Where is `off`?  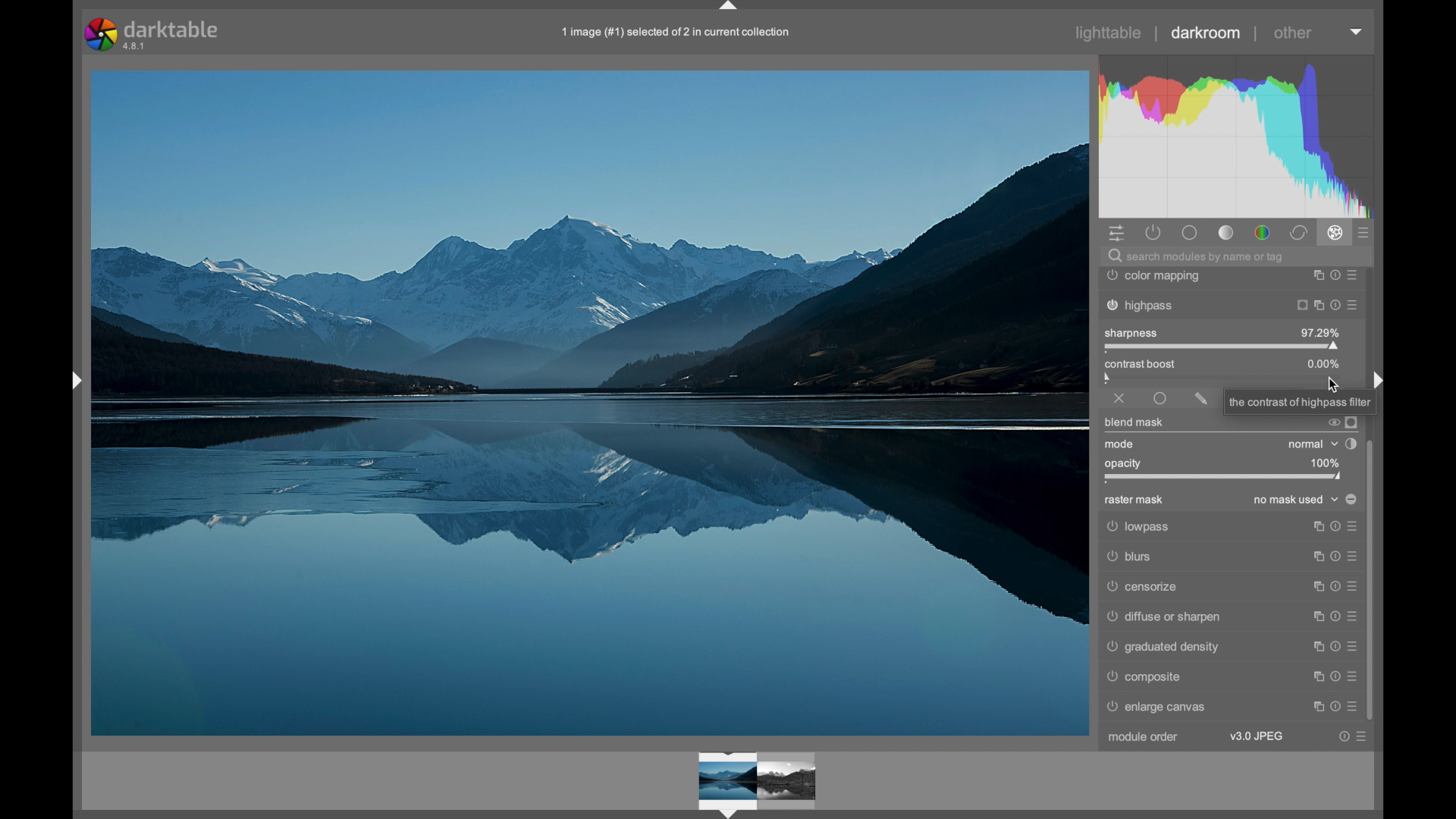
off is located at coordinates (1119, 399).